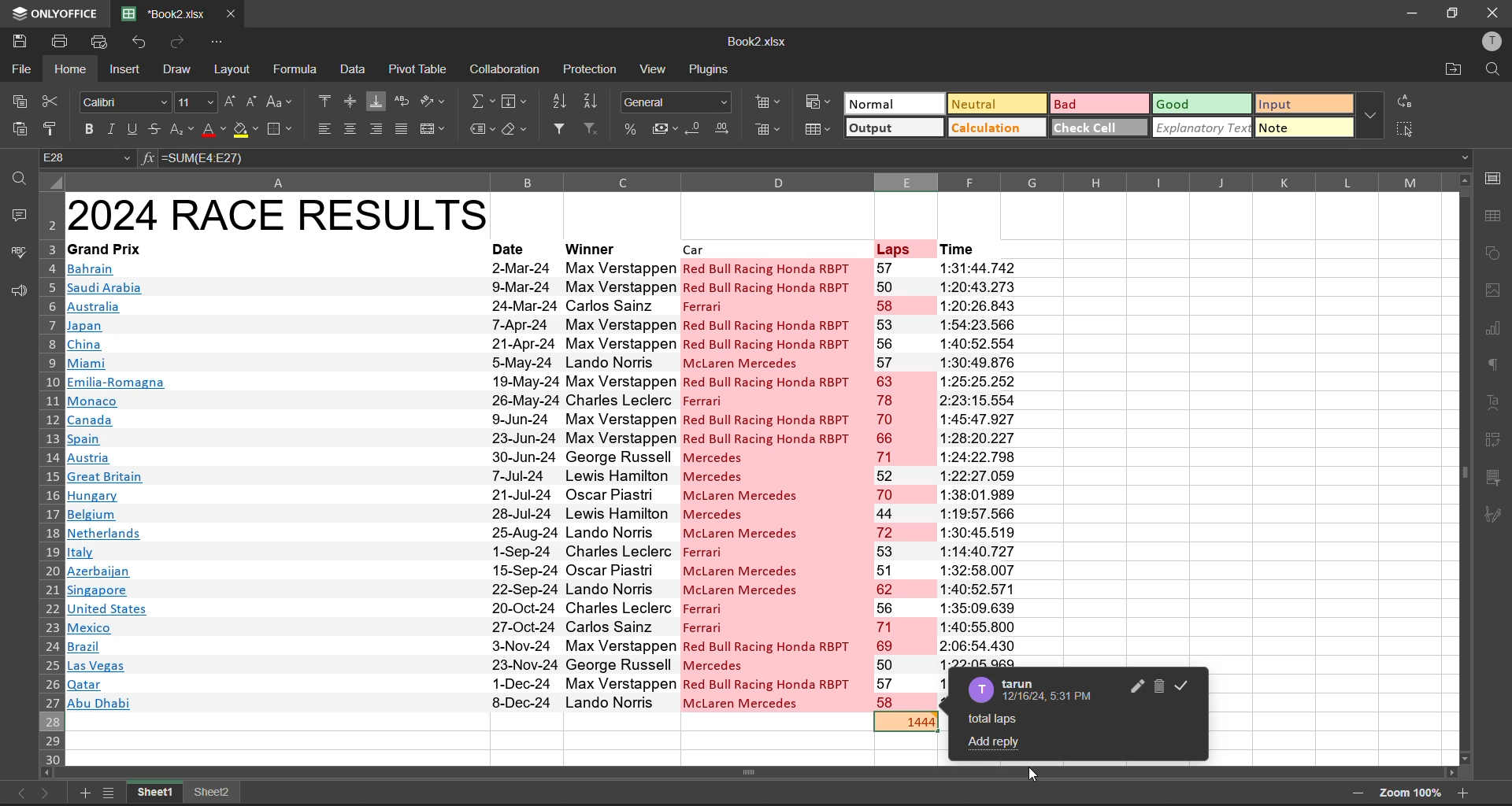 The width and height of the screenshot is (1512, 806). What do you see at coordinates (1455, 69) in the screenshot?
I see `open location` at bounding box center [1455, 69].